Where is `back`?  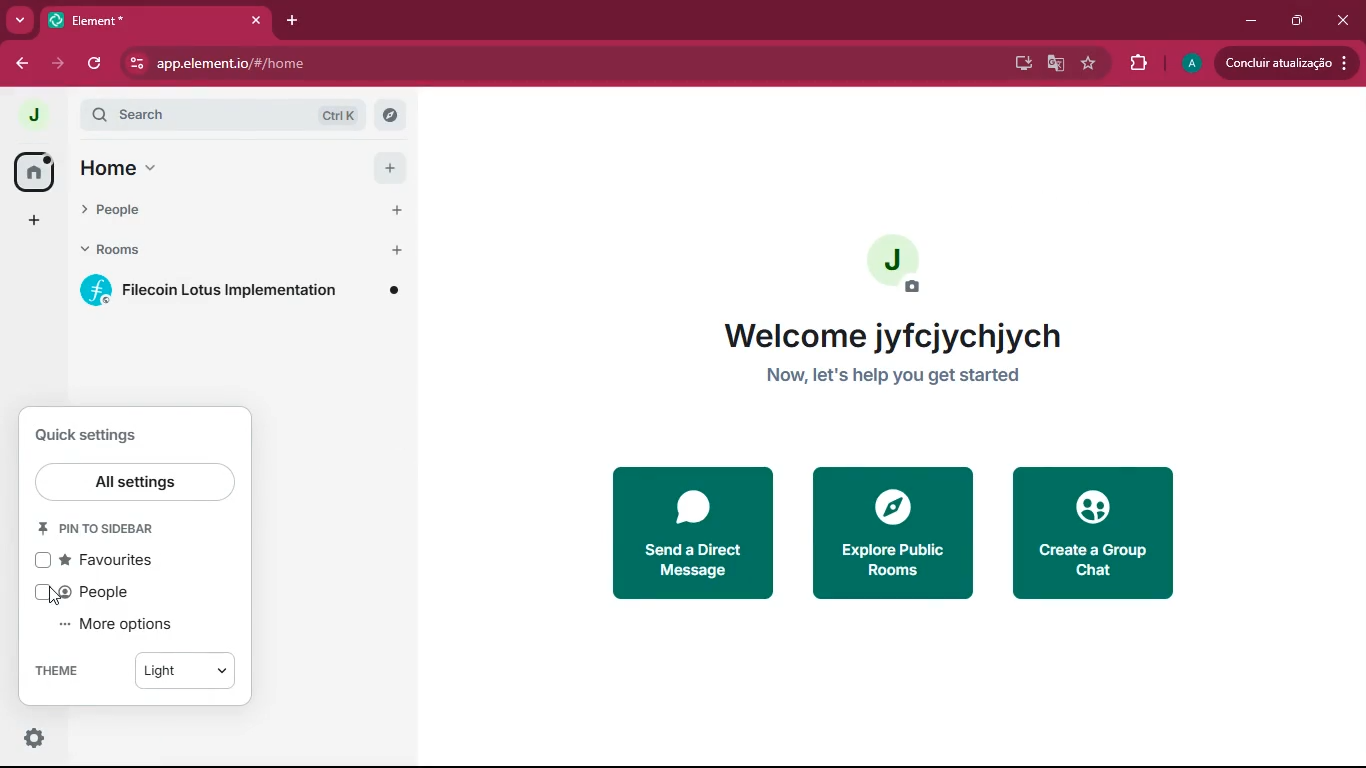 back is located at coordinates (19, 61).